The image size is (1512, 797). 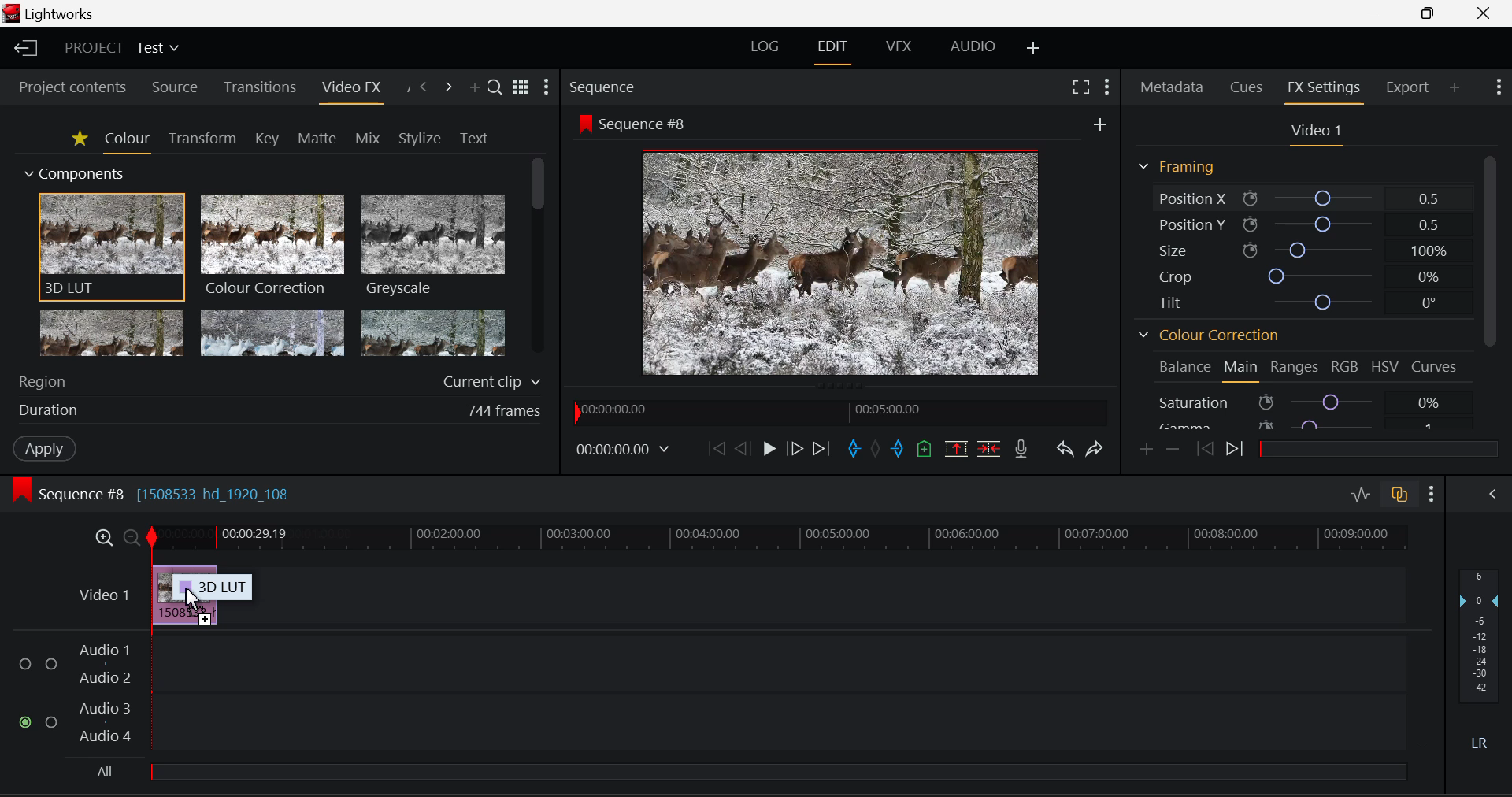 I want to click on Transform, so click(x=200, y=139).